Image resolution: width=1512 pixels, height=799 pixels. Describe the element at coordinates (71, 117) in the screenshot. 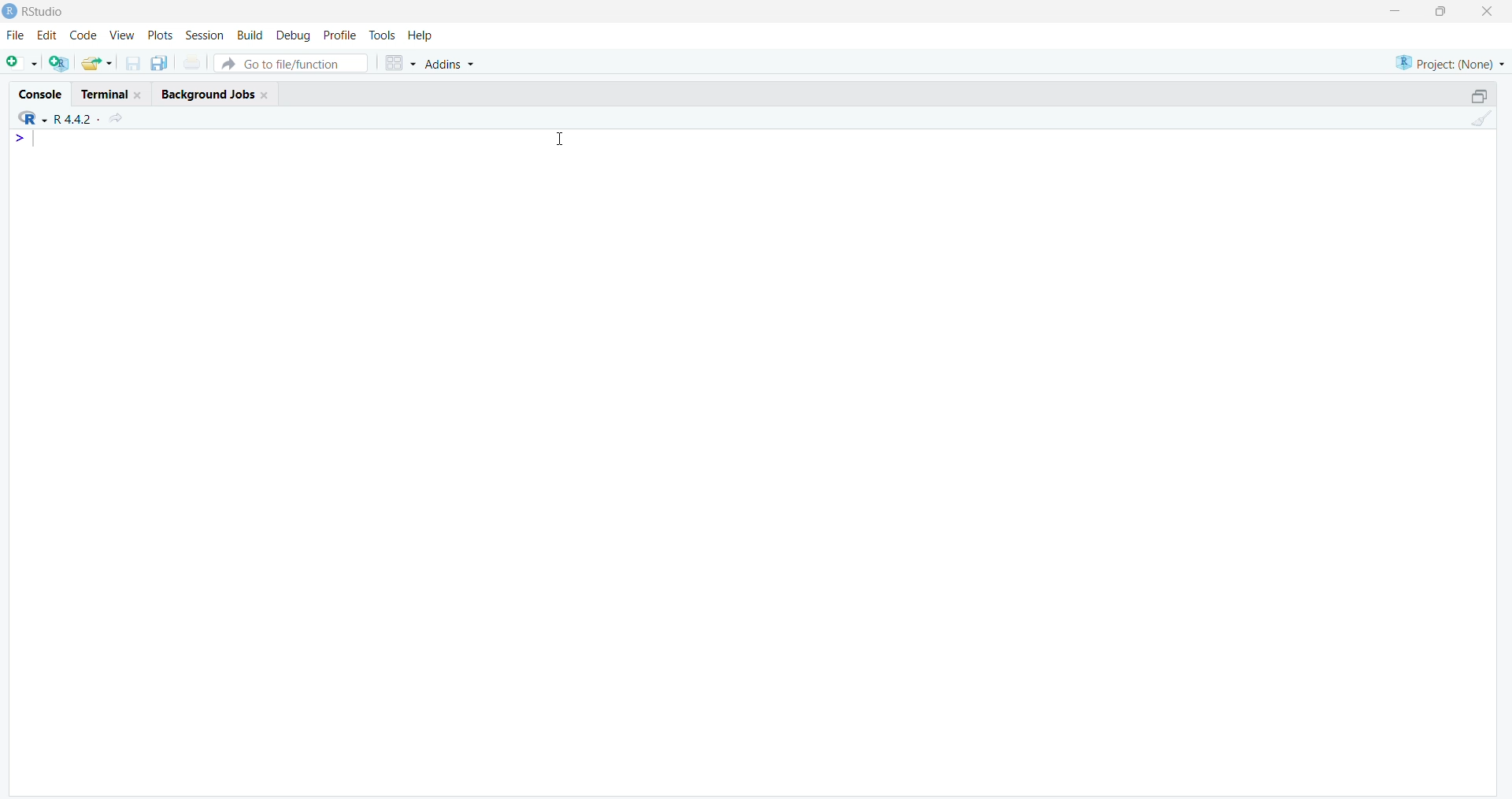

I see `R.4.2.2` at that location.